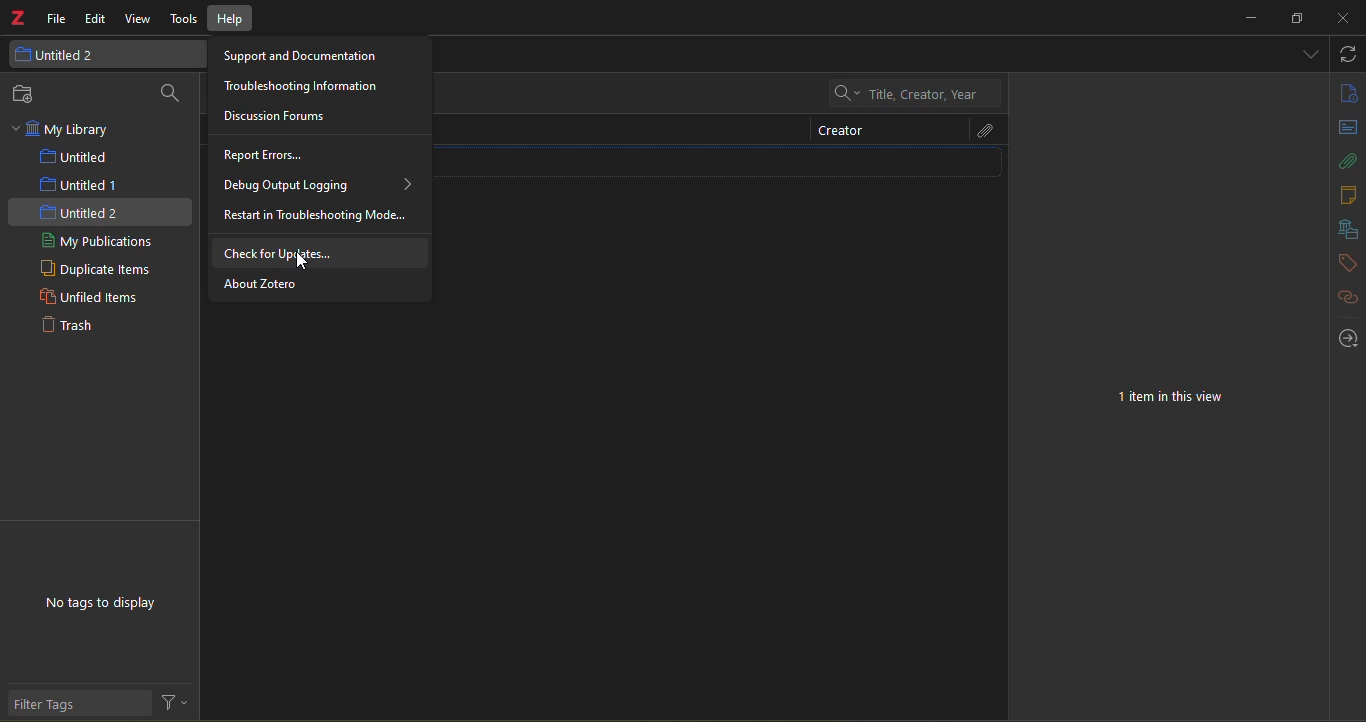  What do you see at coordinates (232, 18) in the screenshot?
I see `help` at bounding box center [232, 18].